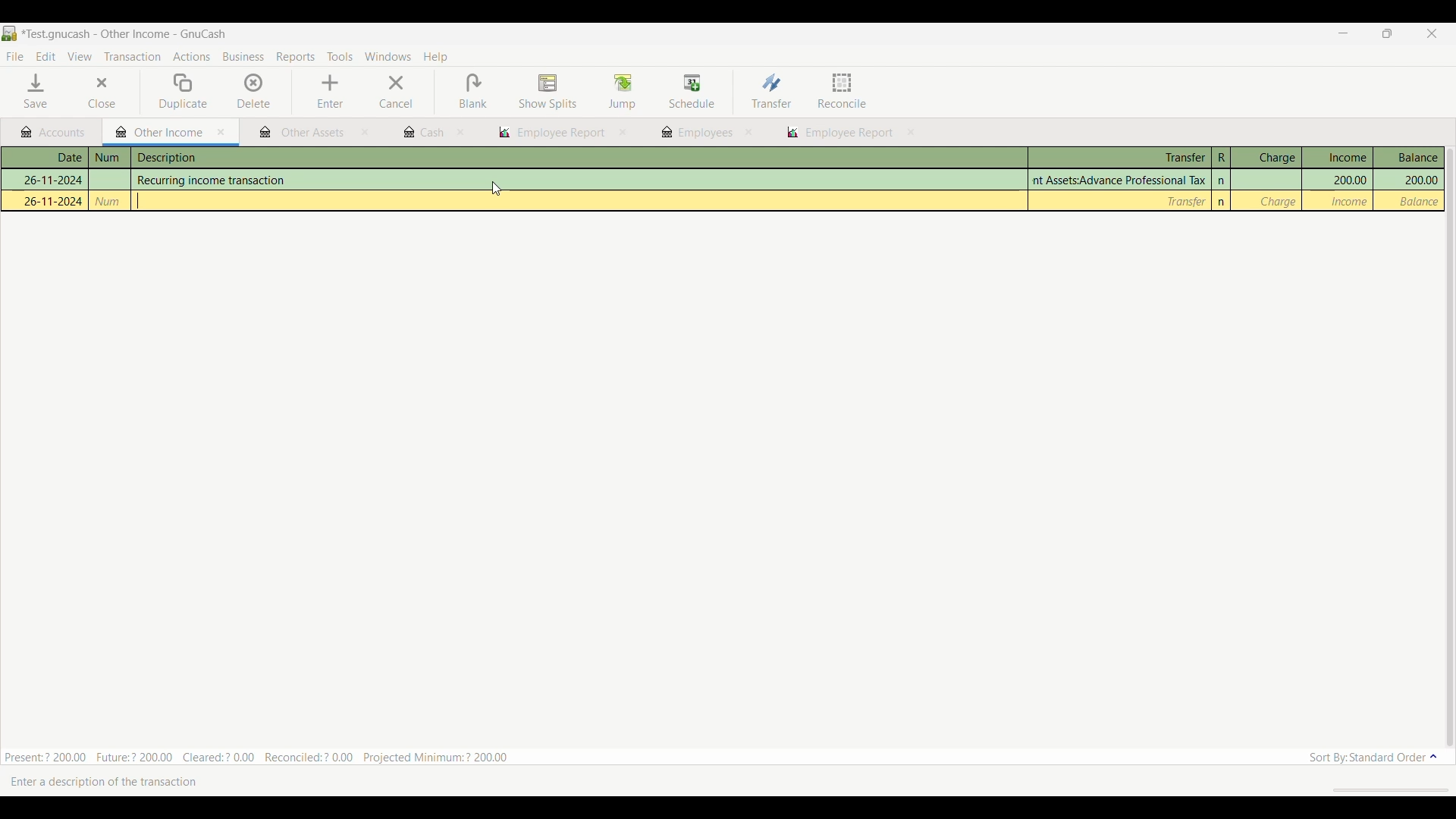 The width and height of the screenshot is (1456, 819). I want to click on Business menu, so click(243, 58).